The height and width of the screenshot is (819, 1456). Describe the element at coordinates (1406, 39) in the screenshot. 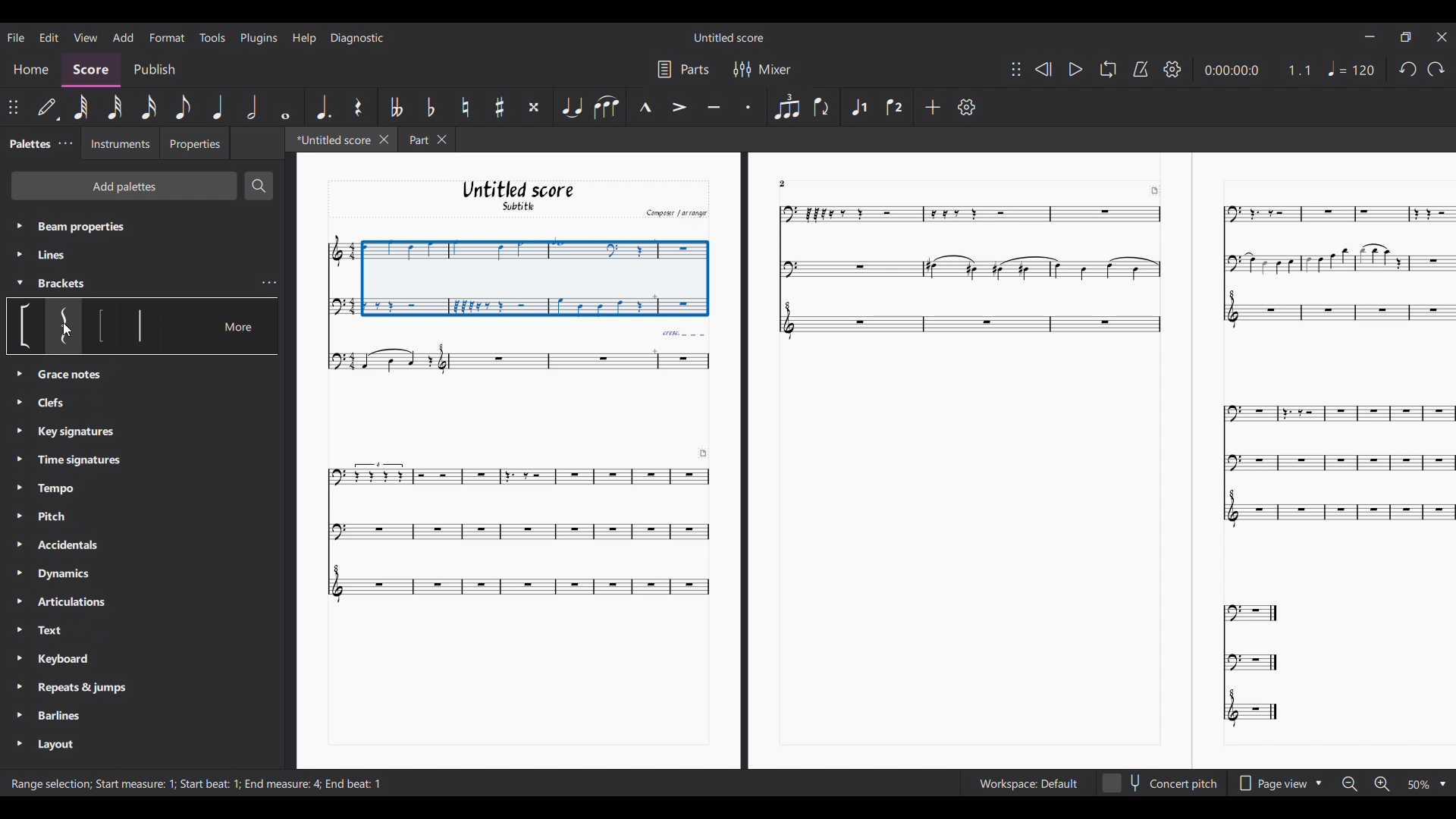

I see `Maximize` at that location.